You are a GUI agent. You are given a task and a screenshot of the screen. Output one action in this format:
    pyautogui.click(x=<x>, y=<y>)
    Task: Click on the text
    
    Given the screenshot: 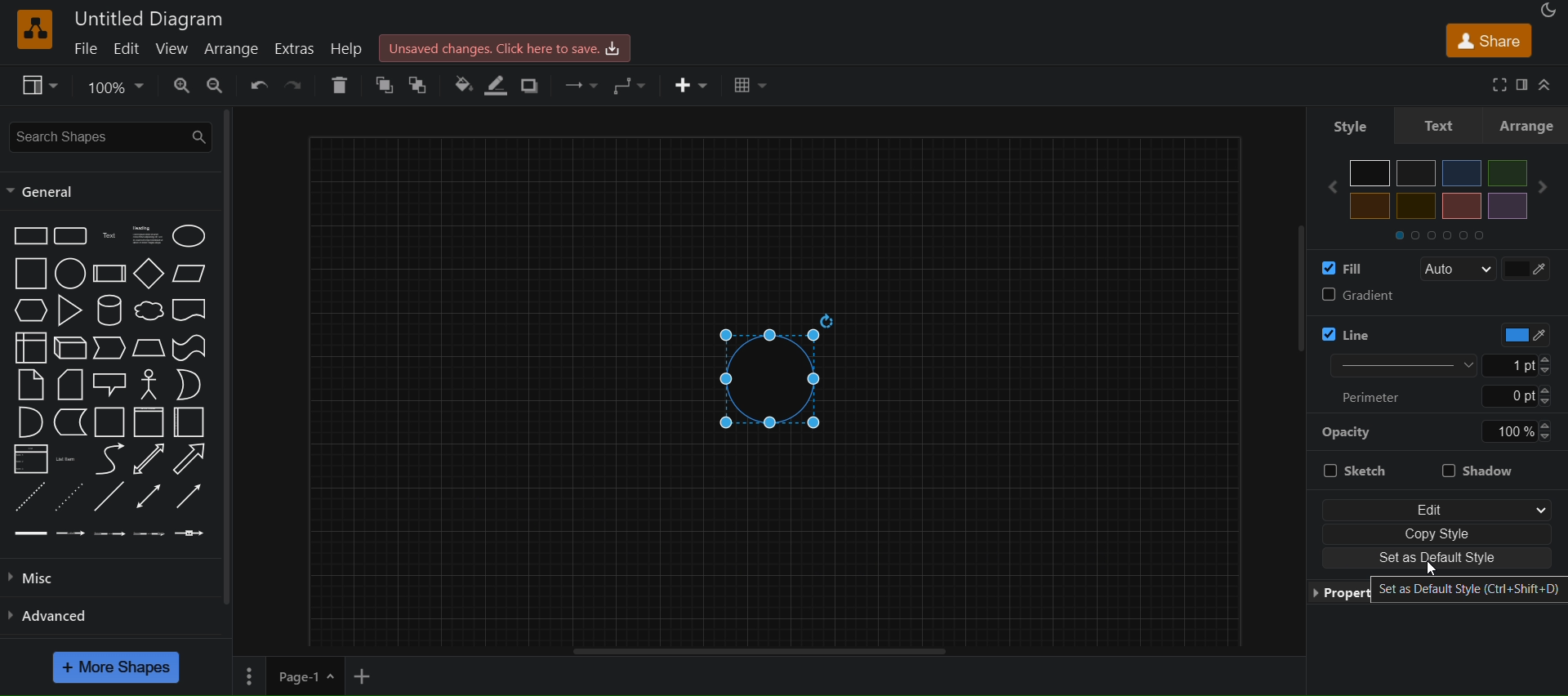 What is the action you would take?
    pyautogui.click(x=111, y=236)
    